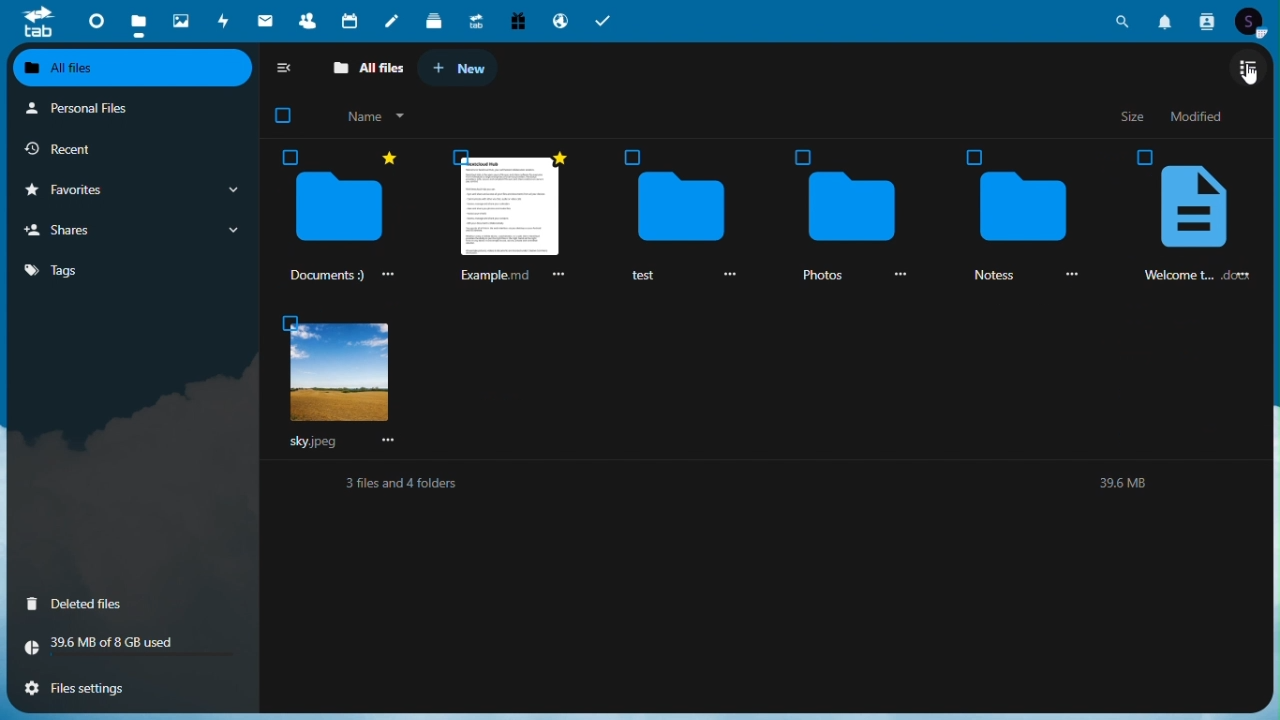 Image resolution: width=1280 pixels, height=720 pixels. What do you see at coordinates (372, 116) in the screenshot?
I see `name` at bounding box center [372, 116].